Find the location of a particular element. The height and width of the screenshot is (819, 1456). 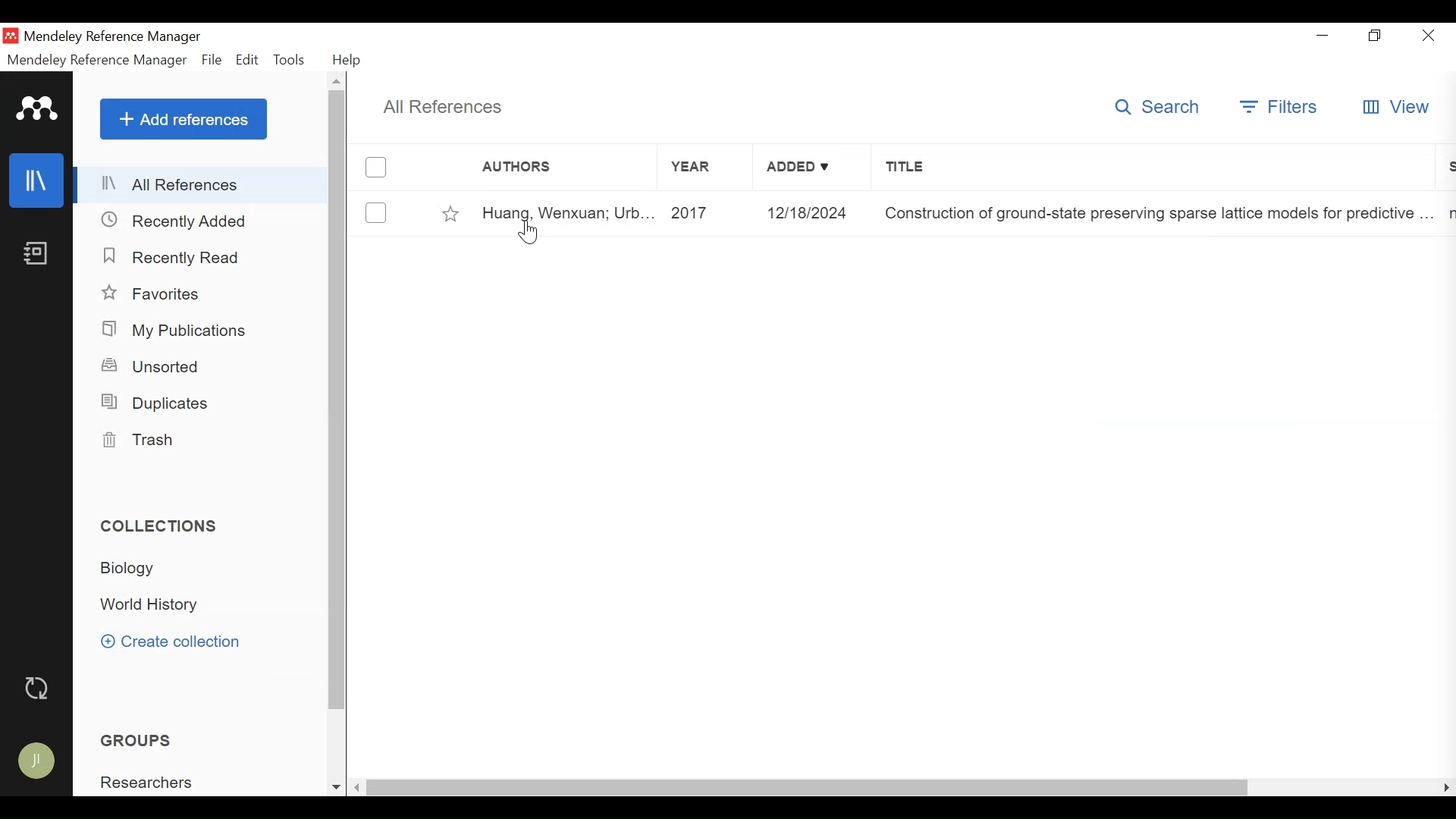

Notebook is located at coordinates (40, 255).